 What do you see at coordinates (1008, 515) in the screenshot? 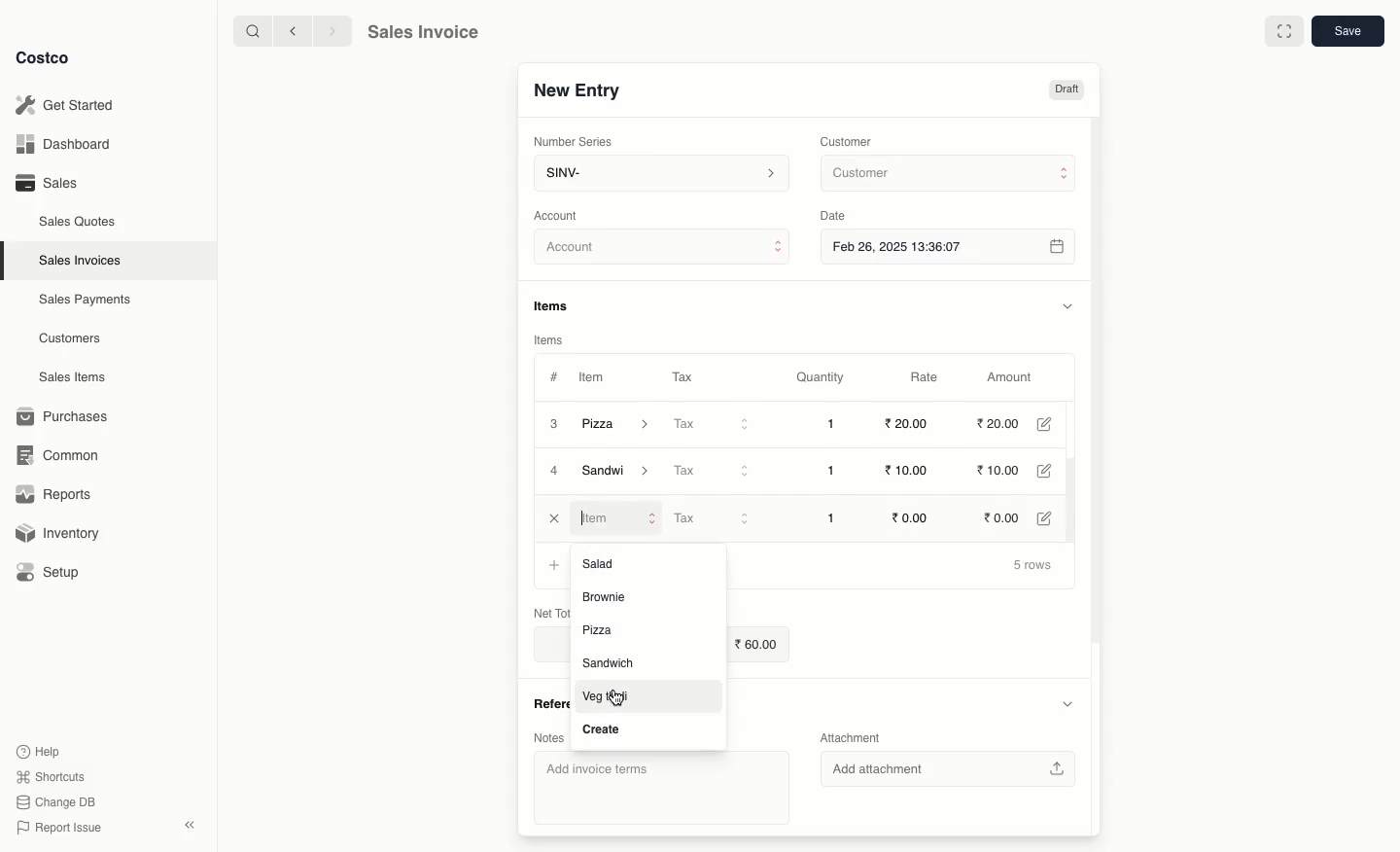
I see `0.00` at bounding box center [1008, 515].